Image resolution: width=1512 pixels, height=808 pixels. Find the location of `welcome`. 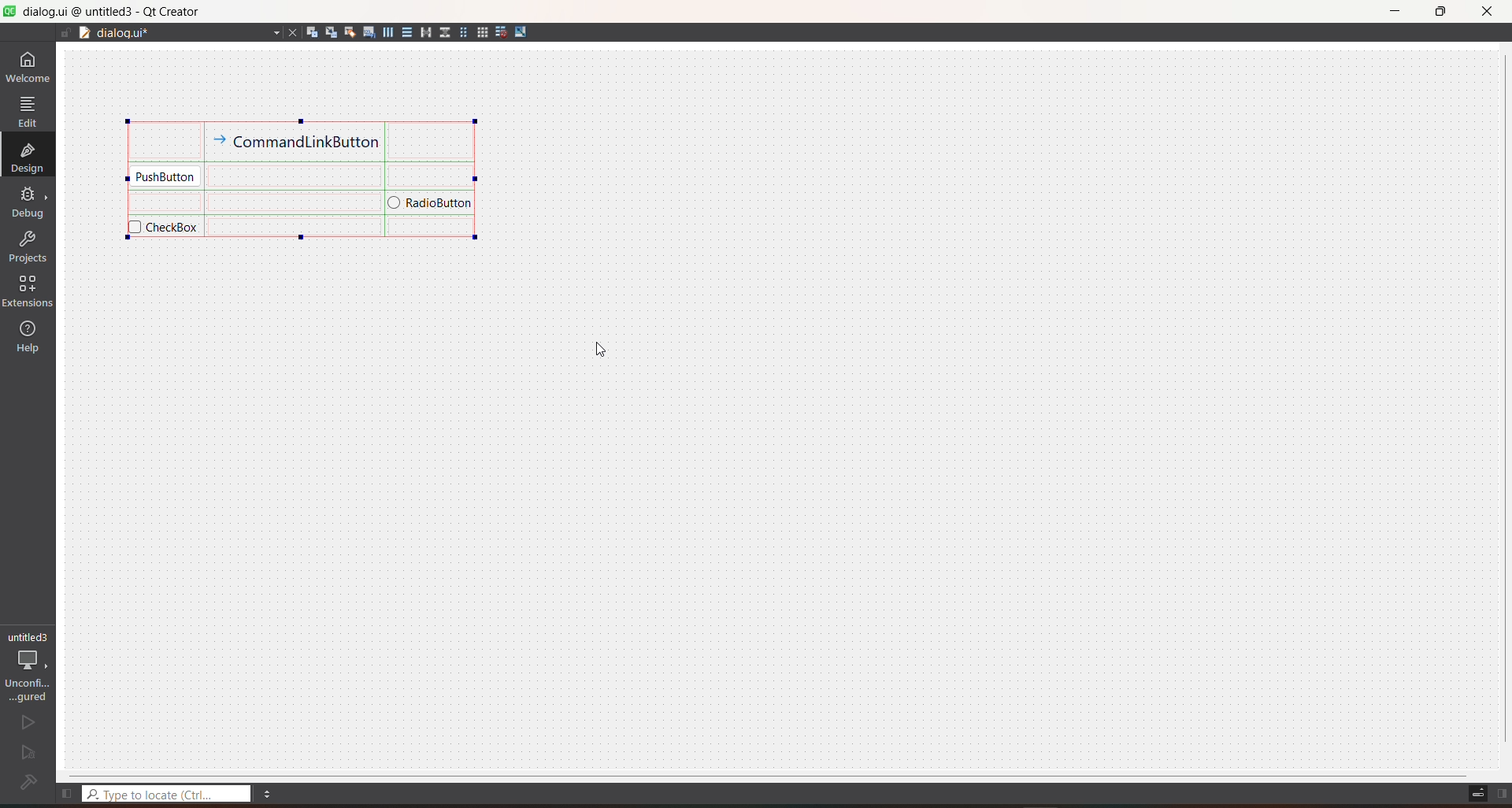

welcome is located at coordinates (28, 64).